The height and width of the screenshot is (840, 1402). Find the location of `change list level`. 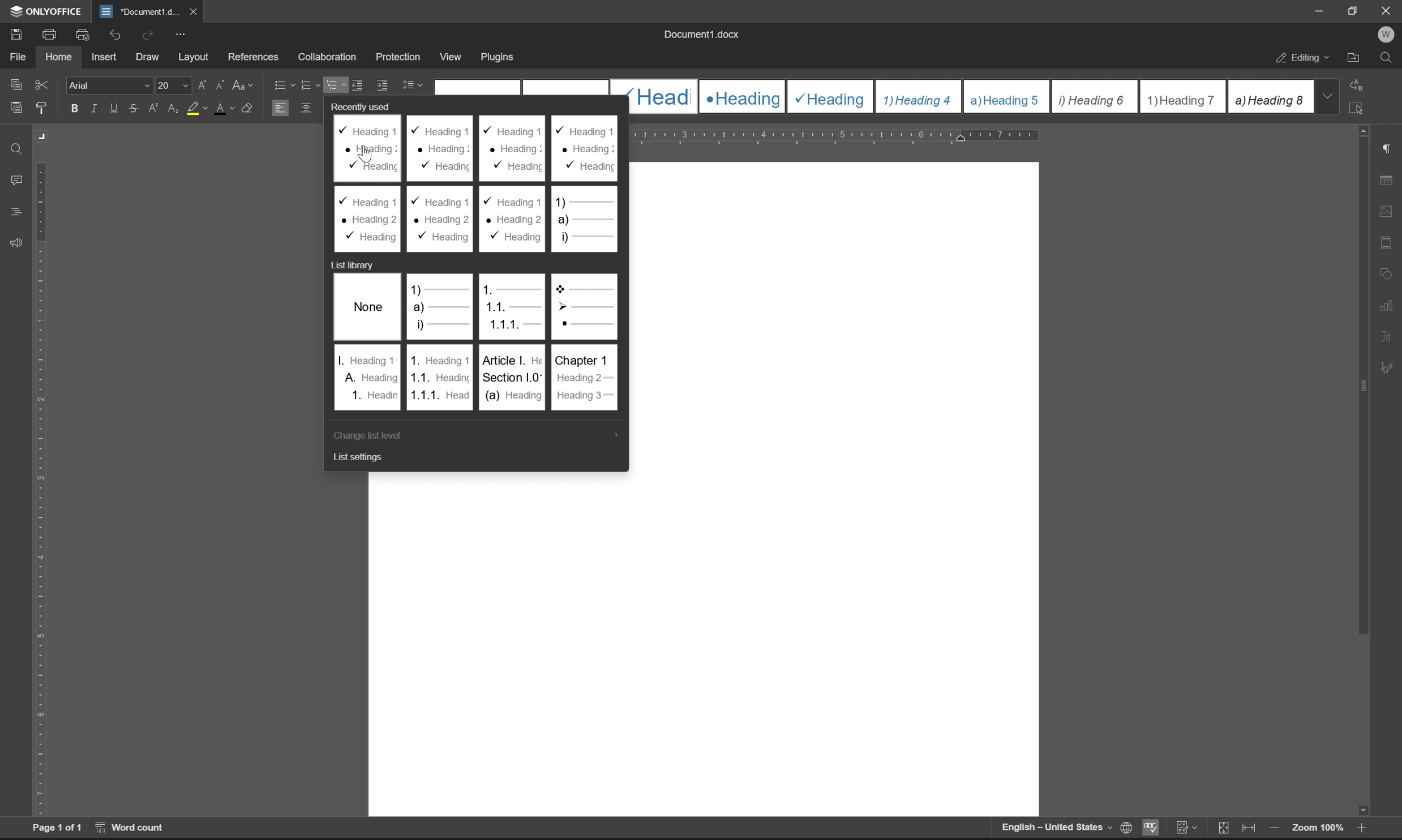

change list level is located at coordinates (364, 436).